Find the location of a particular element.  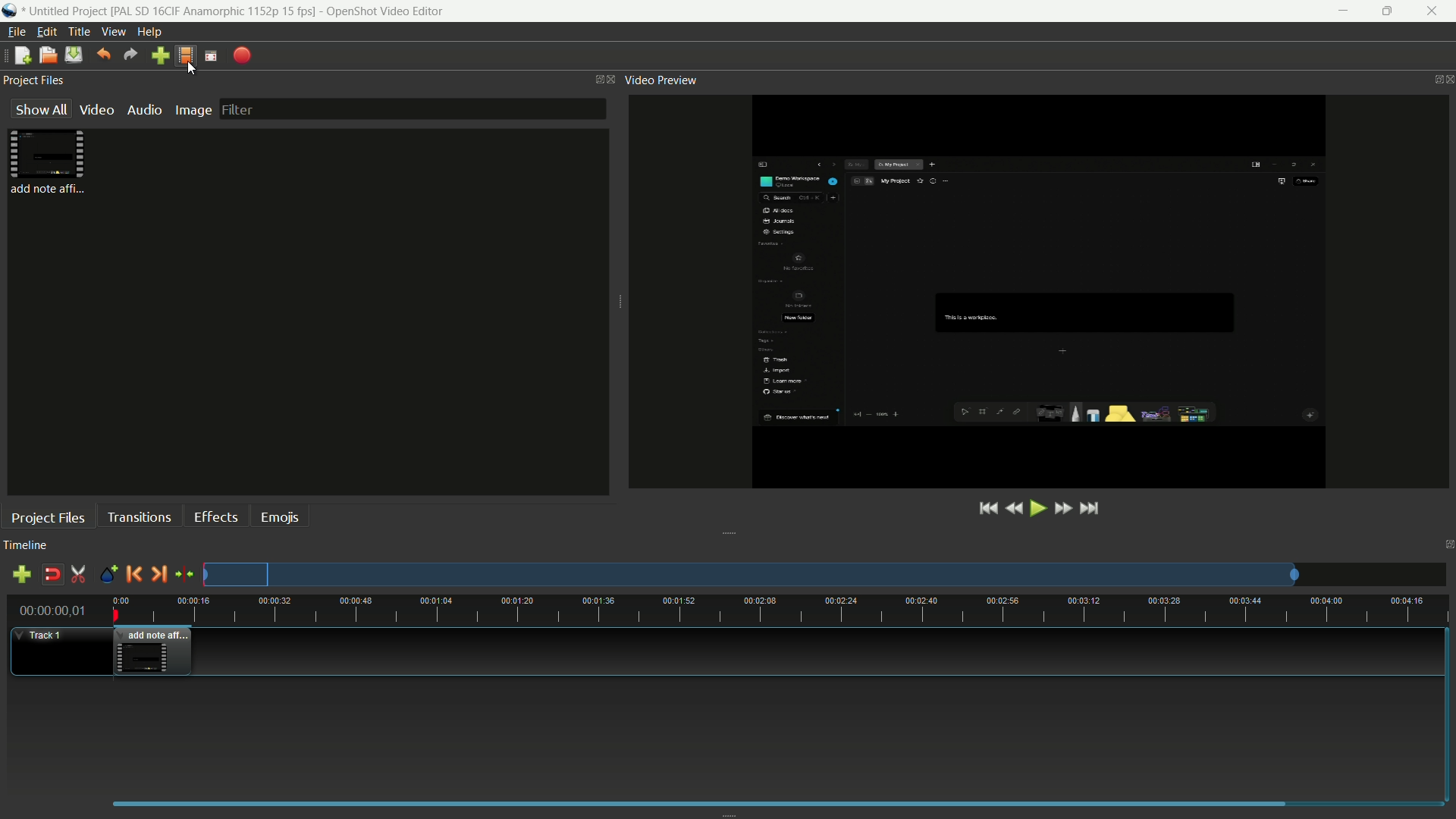

title menu is located at coordinates (76, 31).